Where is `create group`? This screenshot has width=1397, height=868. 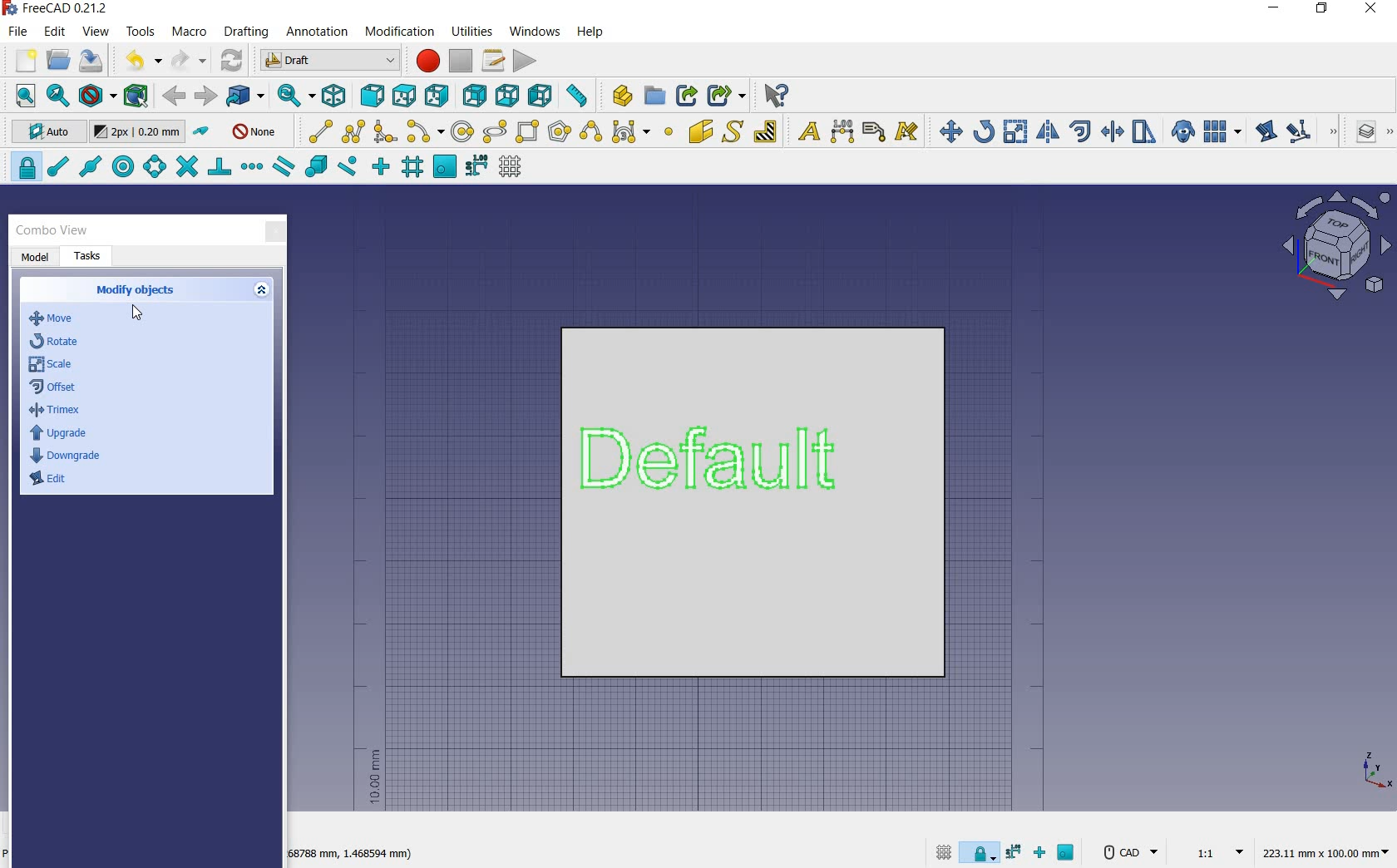
create group is located at coordinates (654, 96).